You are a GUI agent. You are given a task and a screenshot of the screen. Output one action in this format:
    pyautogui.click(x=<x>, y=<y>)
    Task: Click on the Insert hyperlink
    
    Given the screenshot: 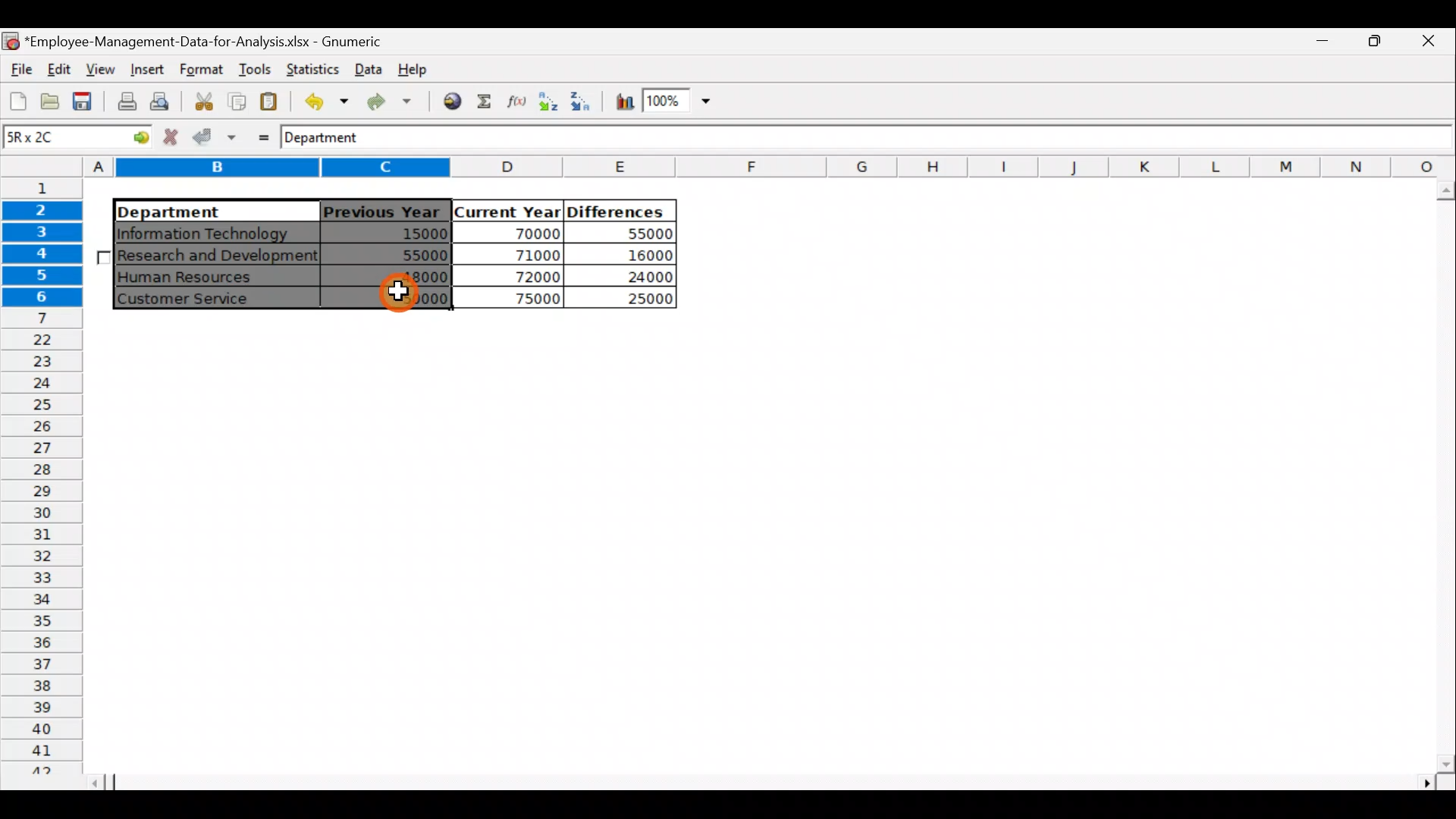 What is the action you would take?
    pyautogui.click(x=453, y=102)
    